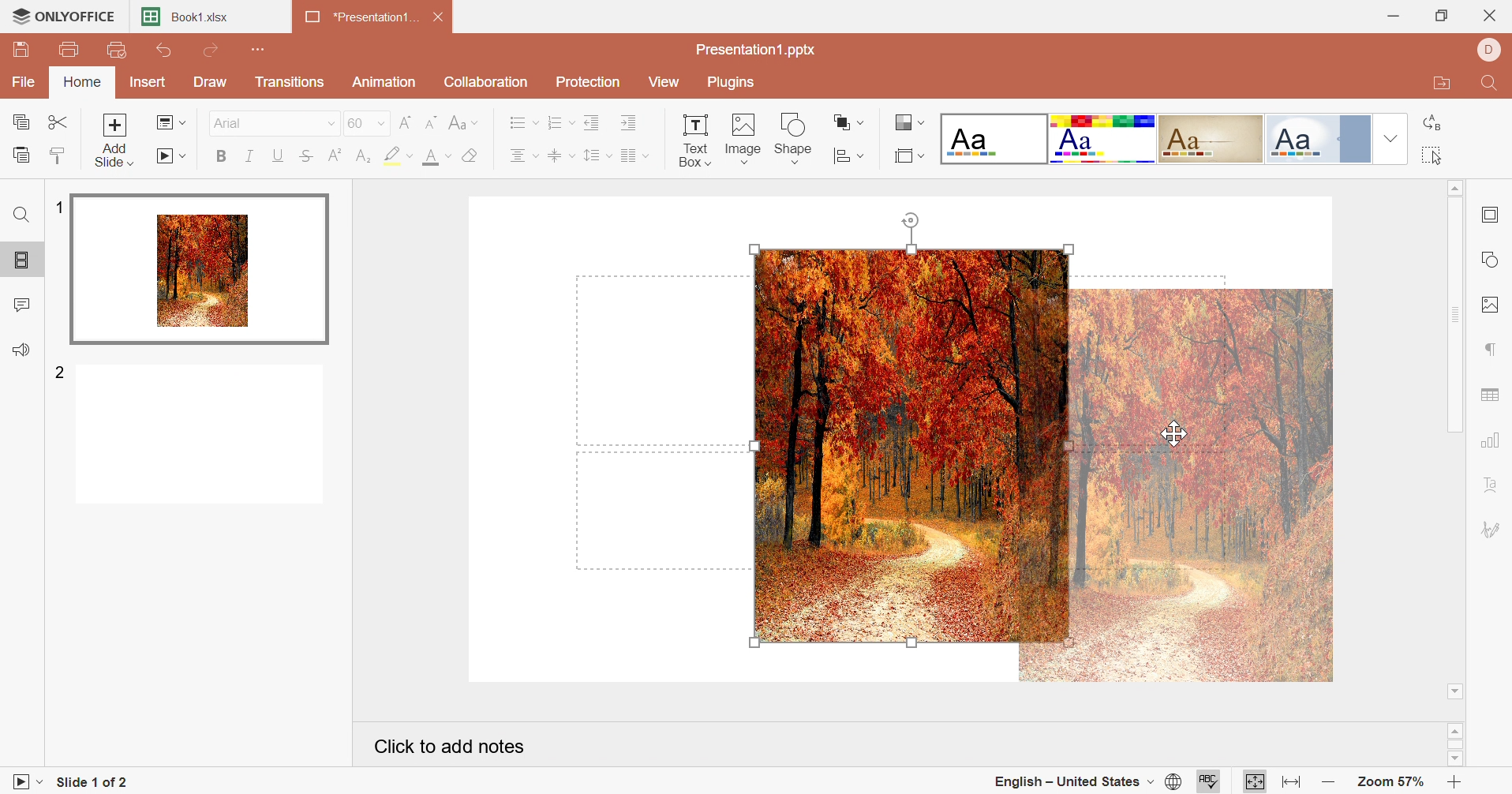 The image size is (1512, 794). Describe the element at coordinates (1433, 121) in the screenshot. I see `Replace` at that location.